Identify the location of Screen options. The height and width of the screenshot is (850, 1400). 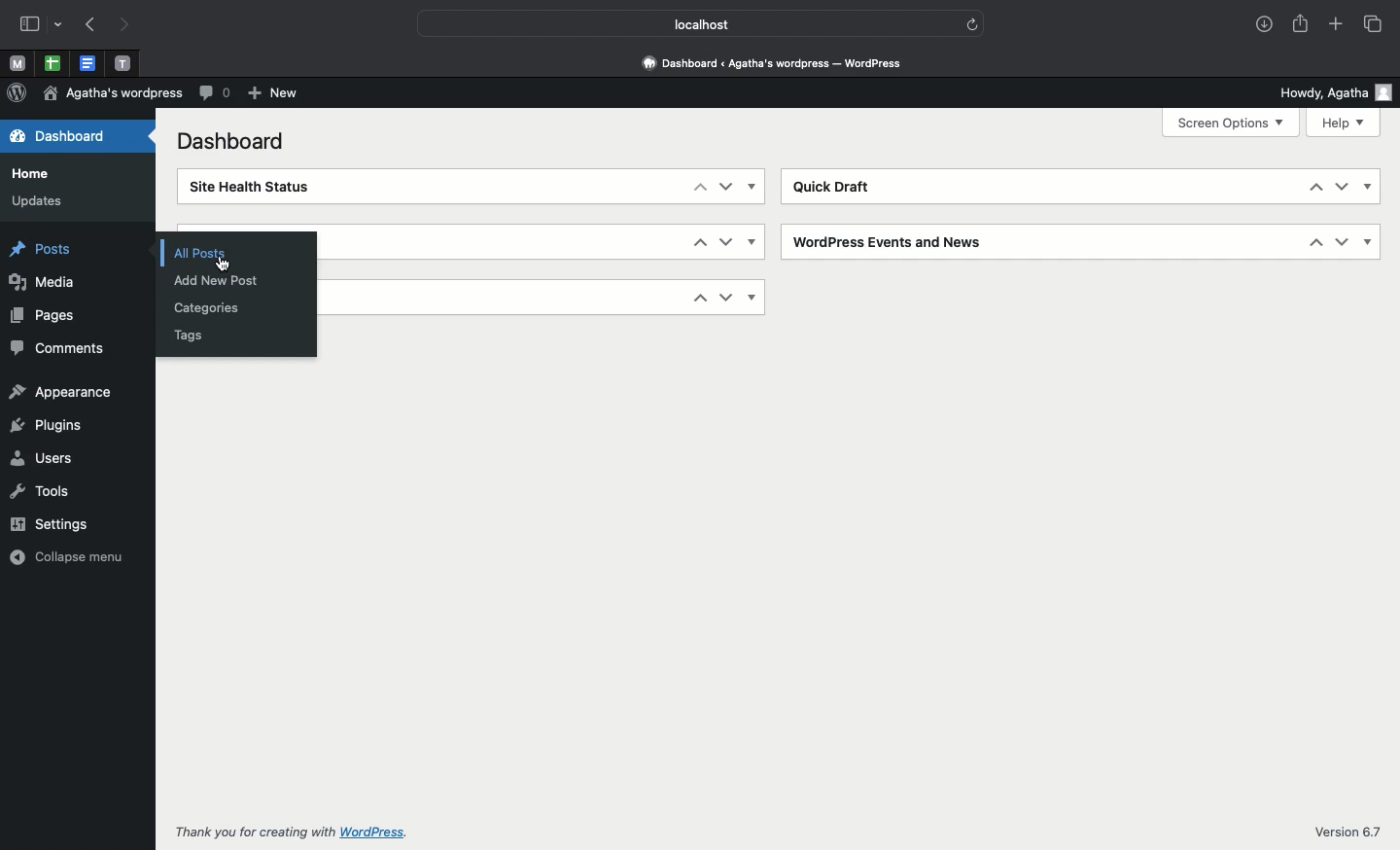
(1230, 123).